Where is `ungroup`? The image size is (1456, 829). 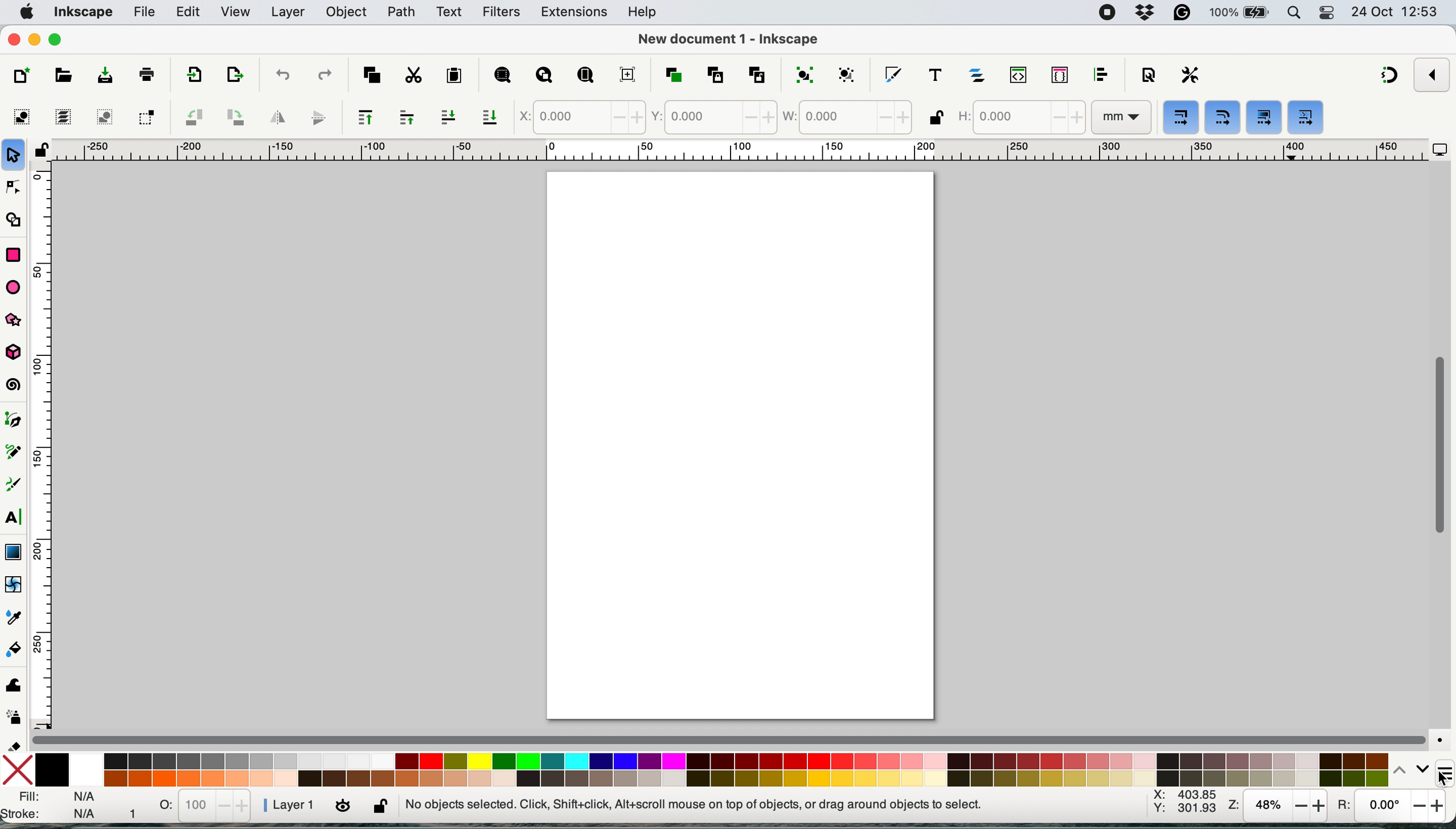
ungroup is located at coordinates (850, 72).